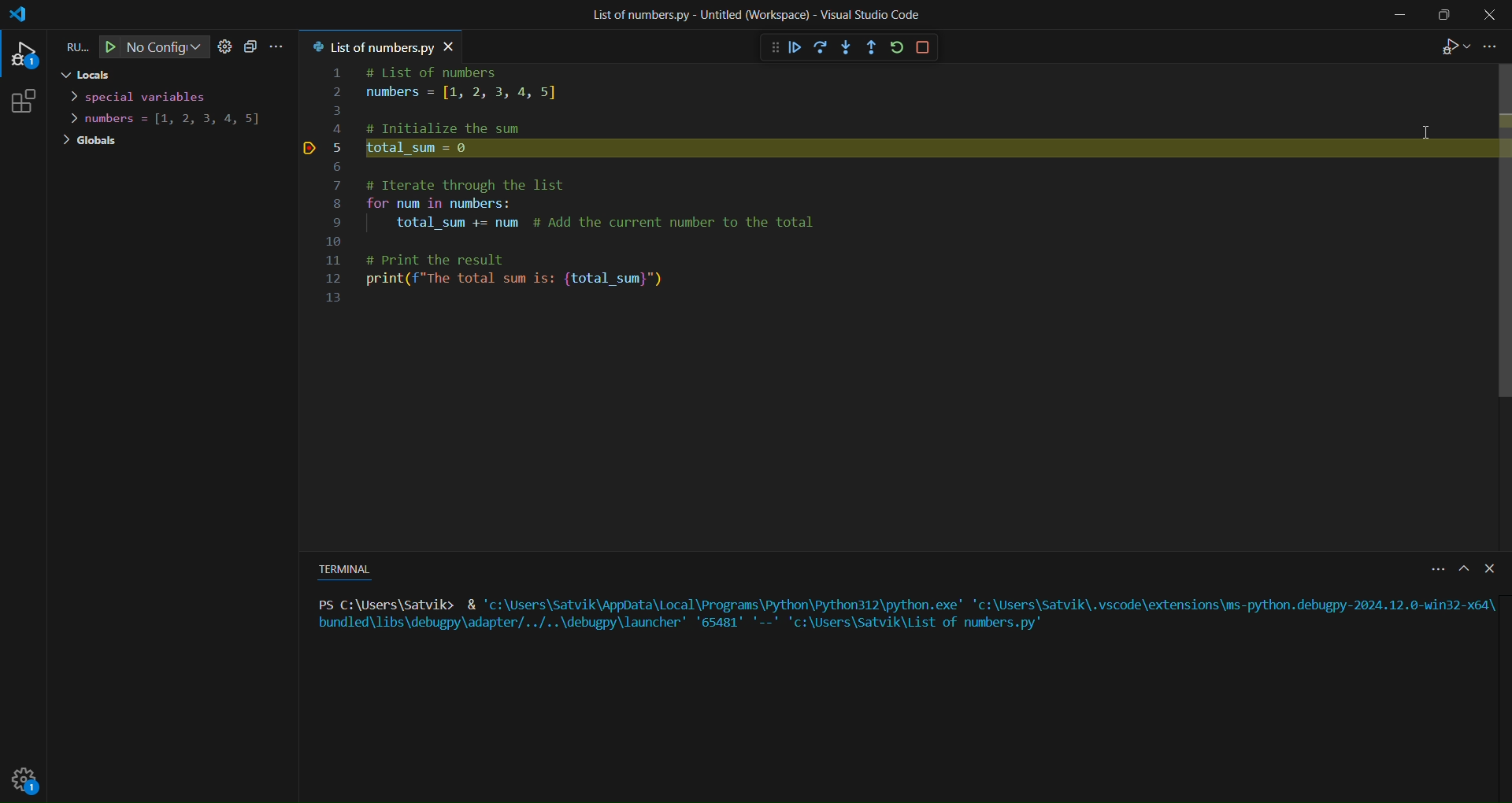 The image size is (1512, 803). Describe the element at coordinates (31, 101) in the screenshot. I see `Extensions` at that location.